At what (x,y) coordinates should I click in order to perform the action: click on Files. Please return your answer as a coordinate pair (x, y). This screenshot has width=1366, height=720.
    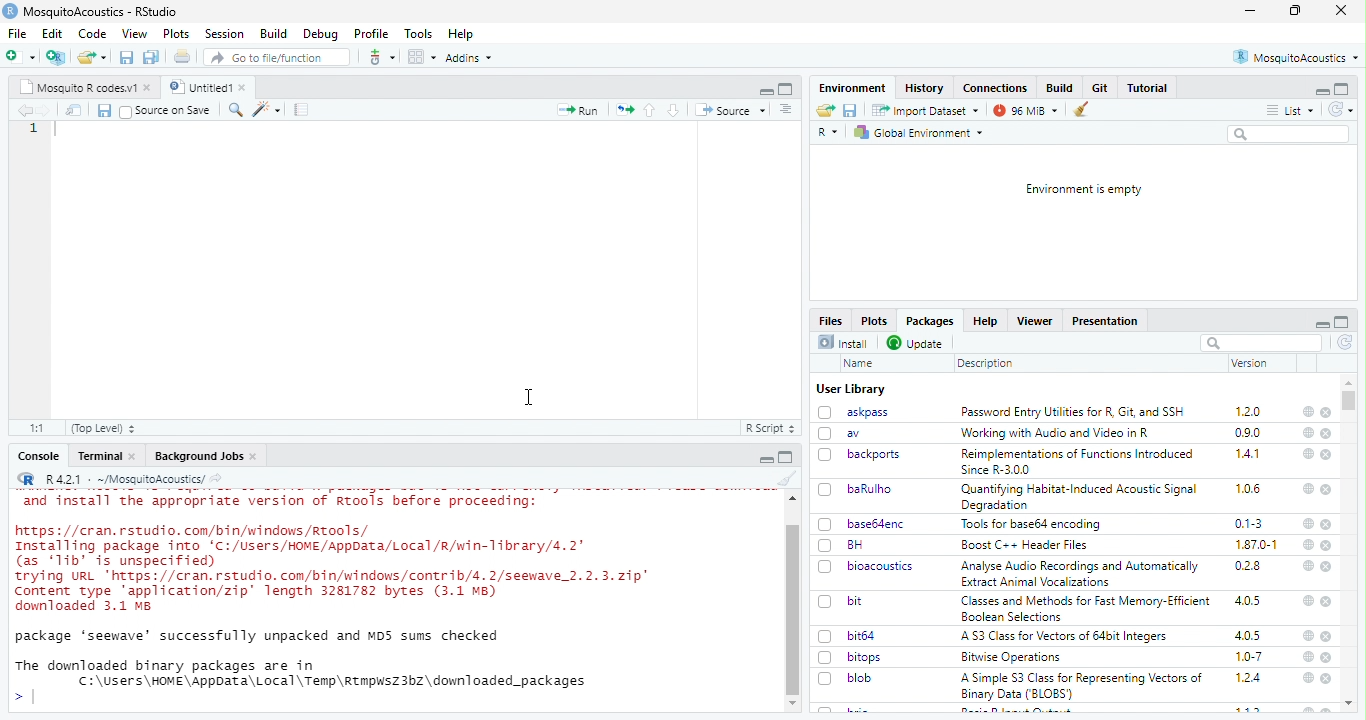
    Looking at the image, I should click on (832, 320).